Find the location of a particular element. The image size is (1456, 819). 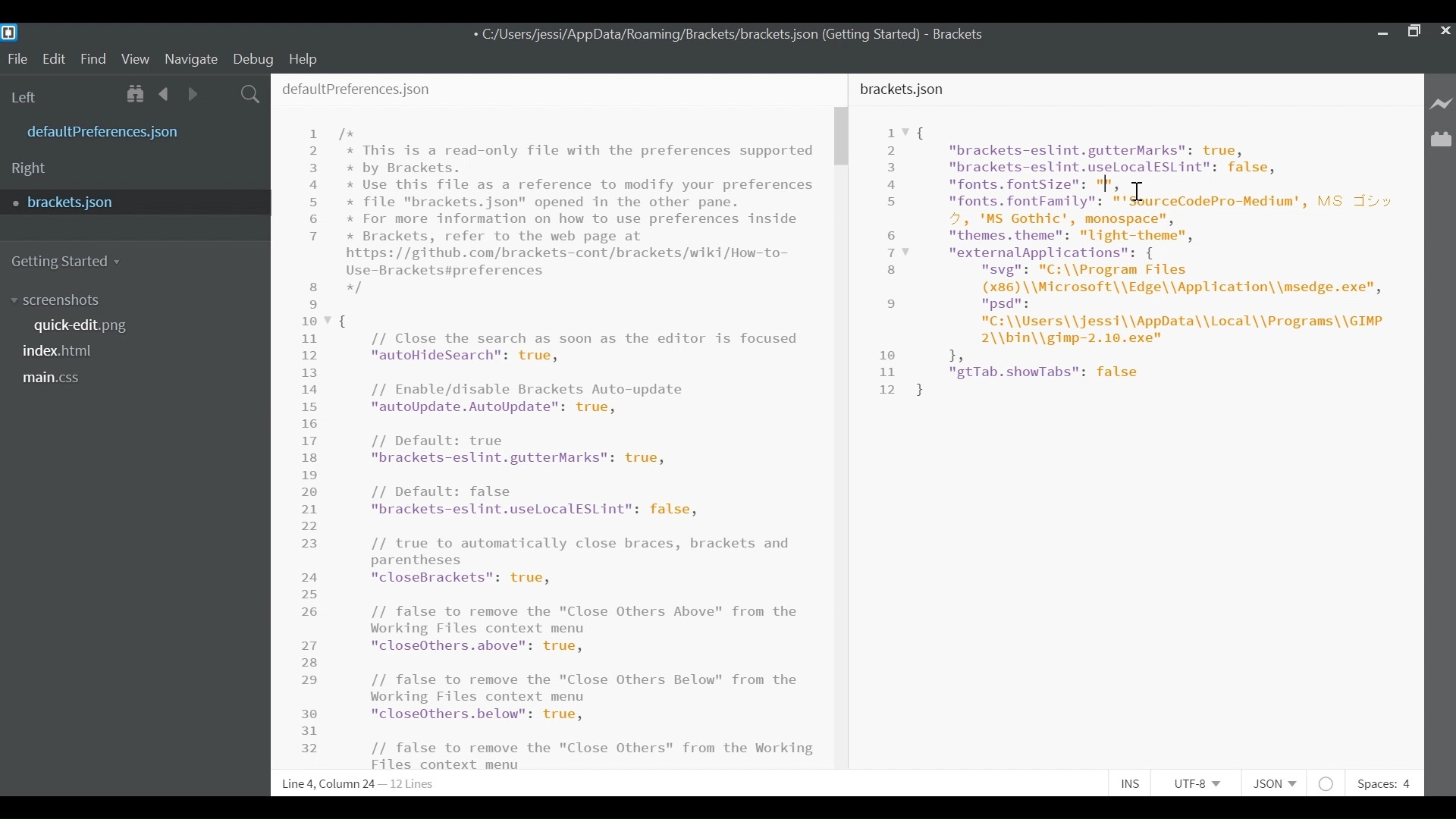

bracket.json is located at coordinates (132, 201).